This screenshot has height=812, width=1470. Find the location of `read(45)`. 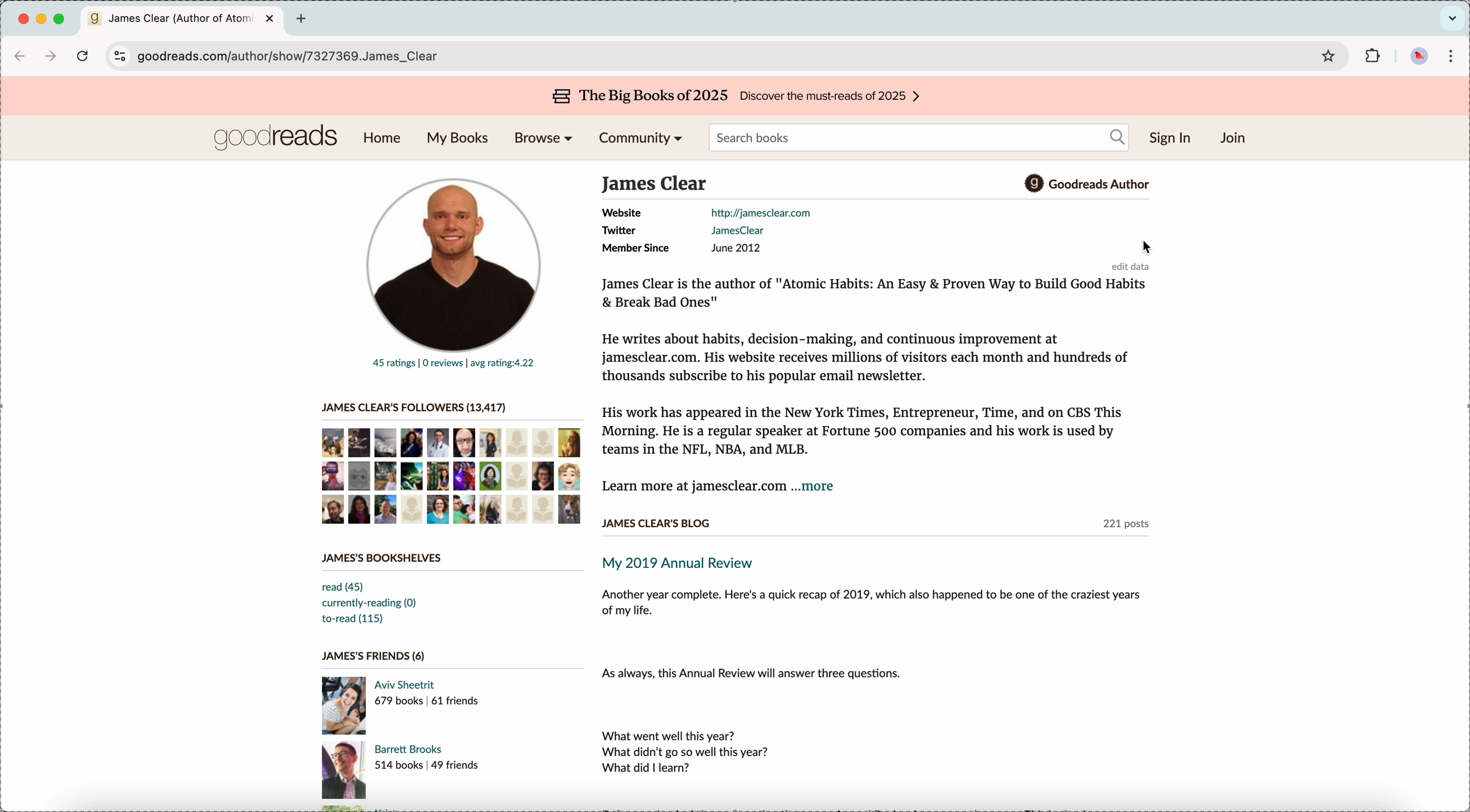

read(45) is located at coordinates (345, 587).